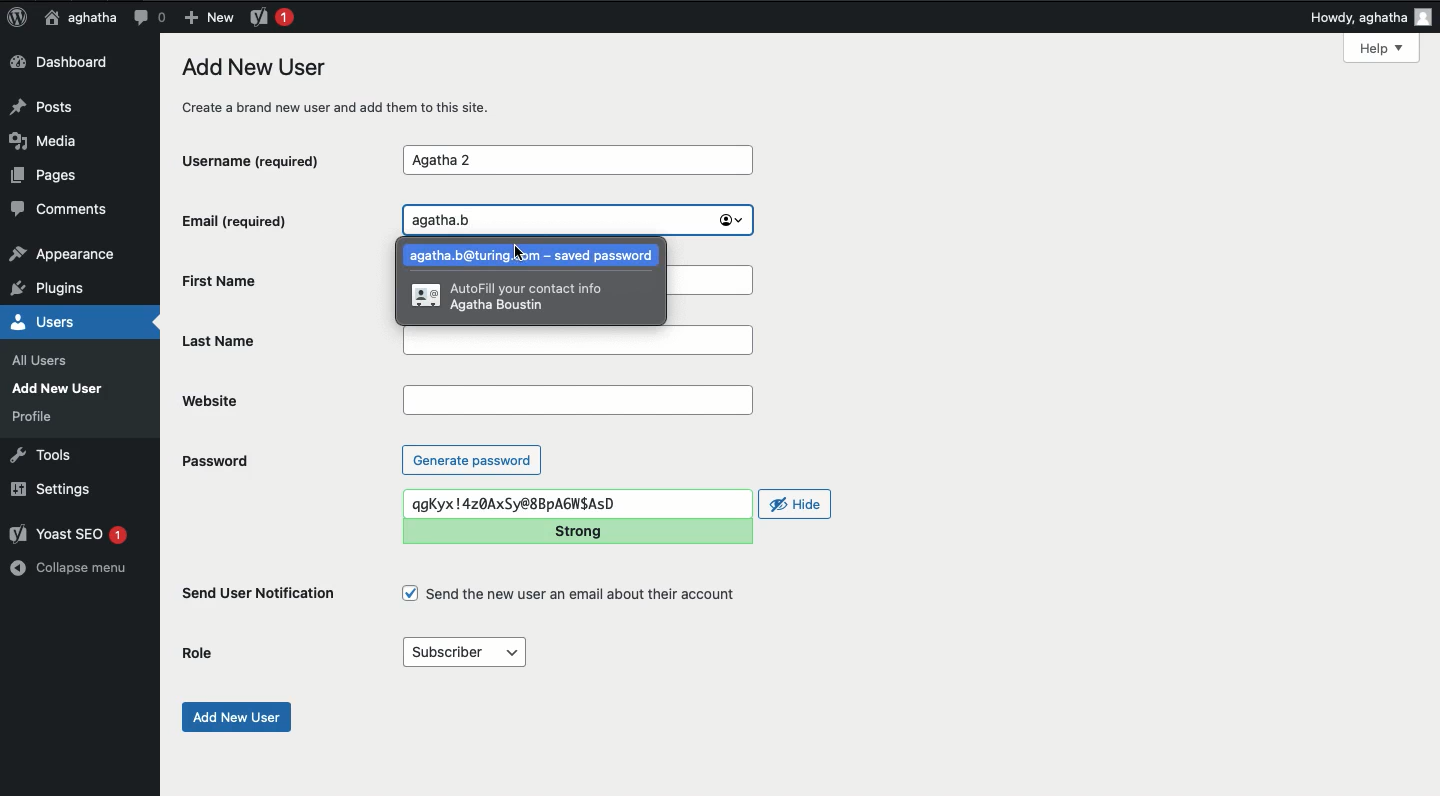 Image resolution: width=1440 pixels, height=796 pixels. I want to click on First Name, so click(268, 279).